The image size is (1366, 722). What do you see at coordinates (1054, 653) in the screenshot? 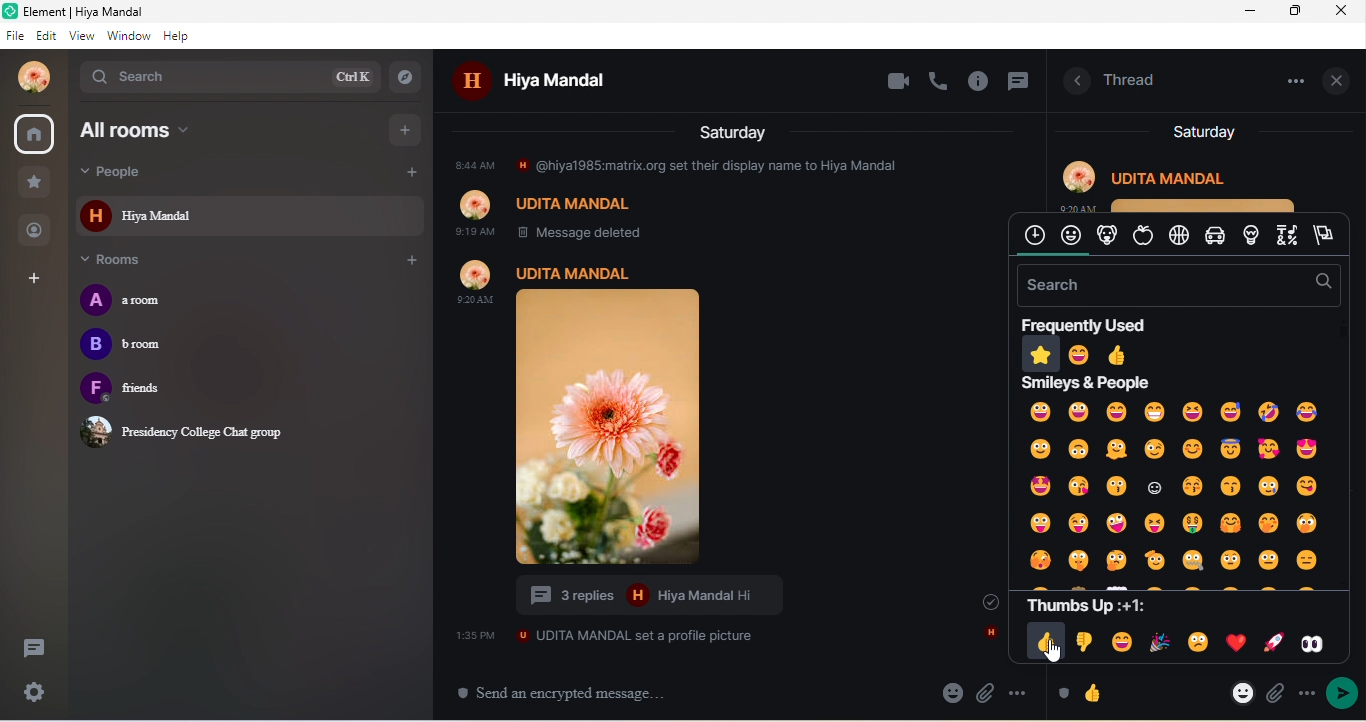
I see `cursor movement` at bounding box center [1054, 653].